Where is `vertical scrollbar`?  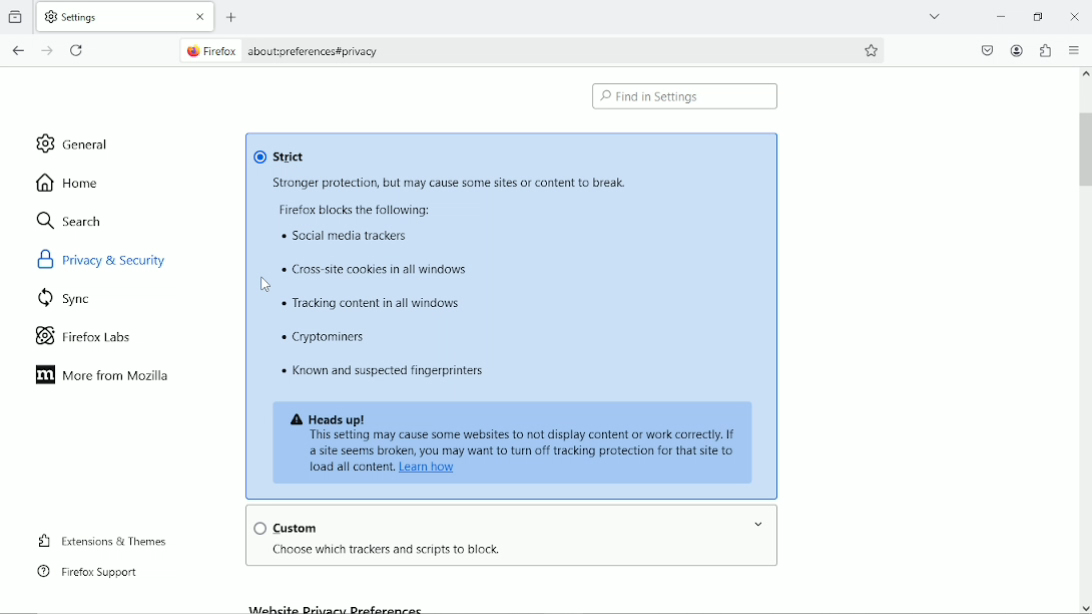
vertical scrollbar is located at coordinates (1085, 341).